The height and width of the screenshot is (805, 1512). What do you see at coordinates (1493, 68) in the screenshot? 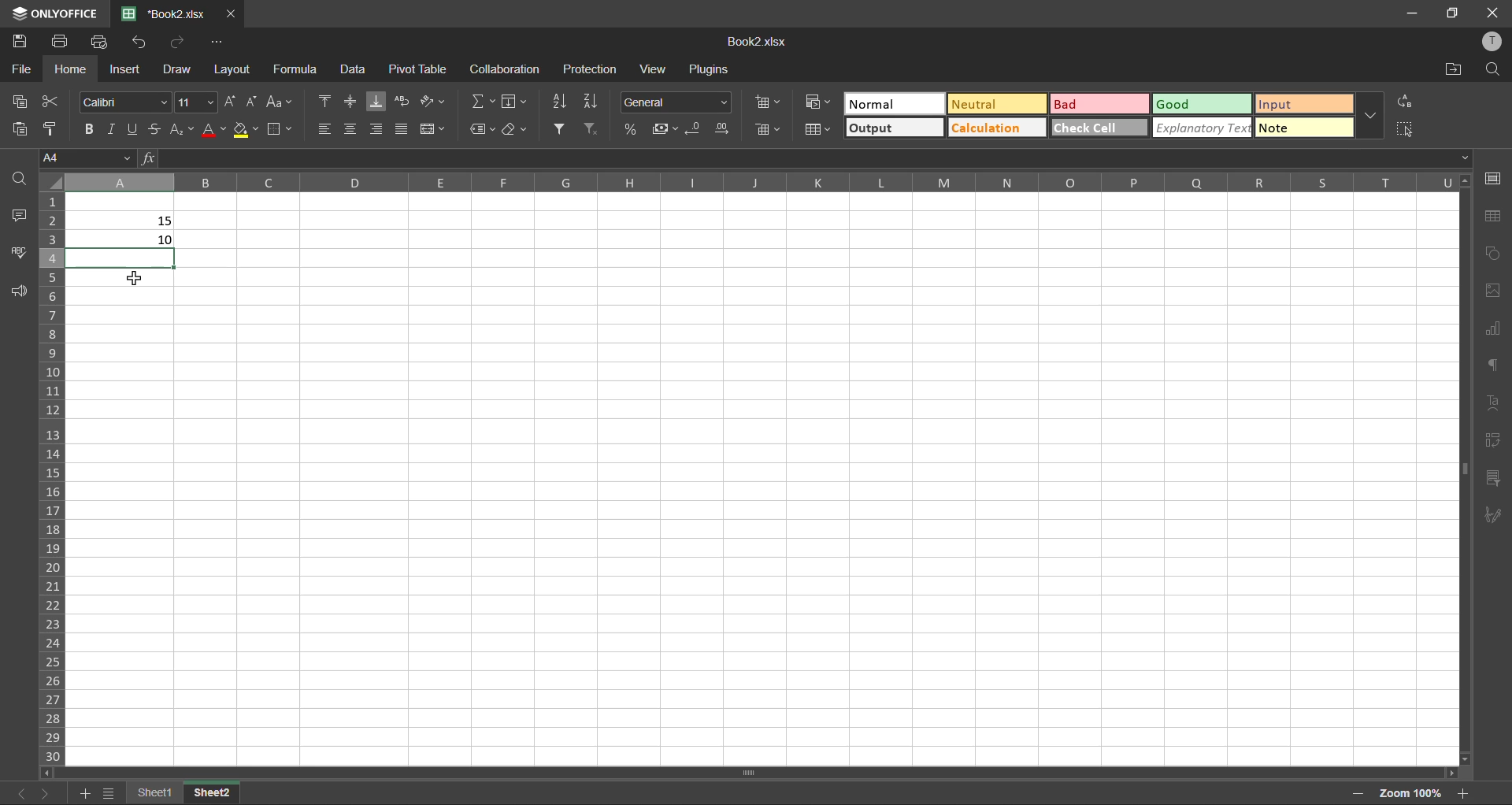
I see `find` at bounding box center [1493, 68].